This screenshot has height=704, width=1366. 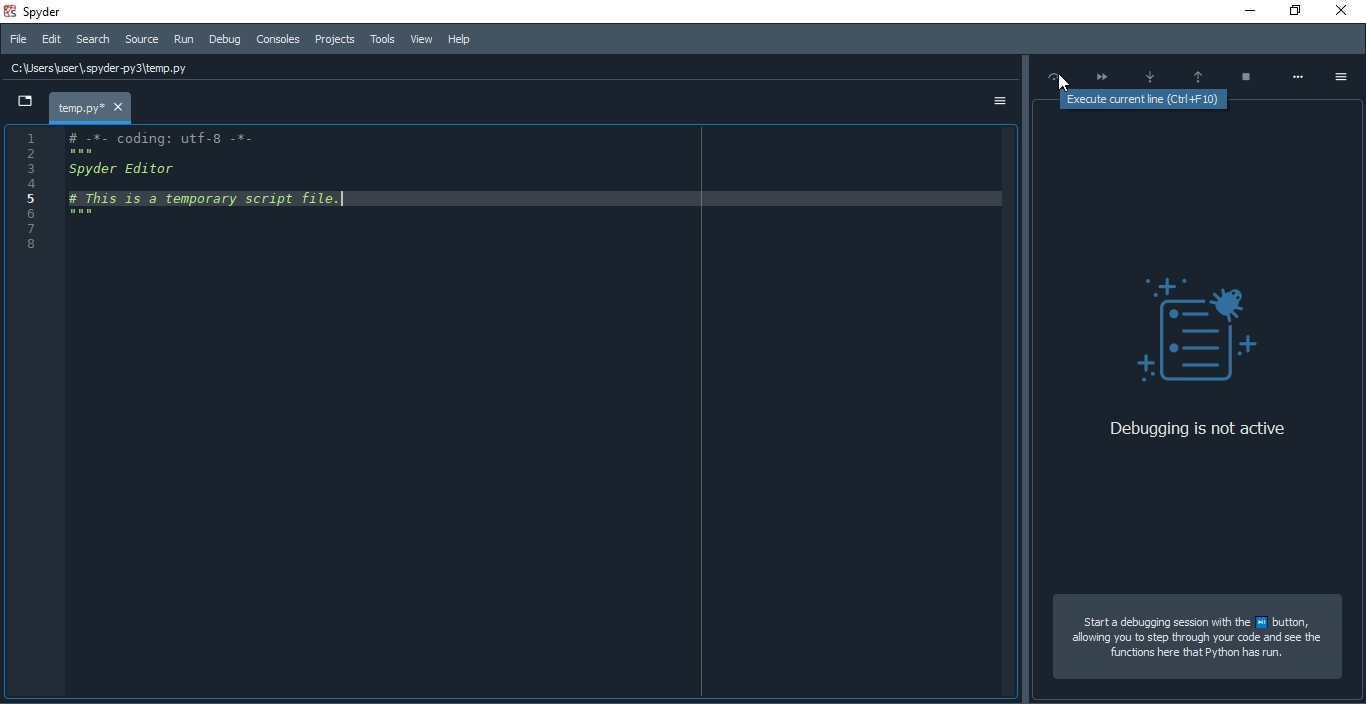 I want to click on Execute current line, so click(x=1056, y=77).